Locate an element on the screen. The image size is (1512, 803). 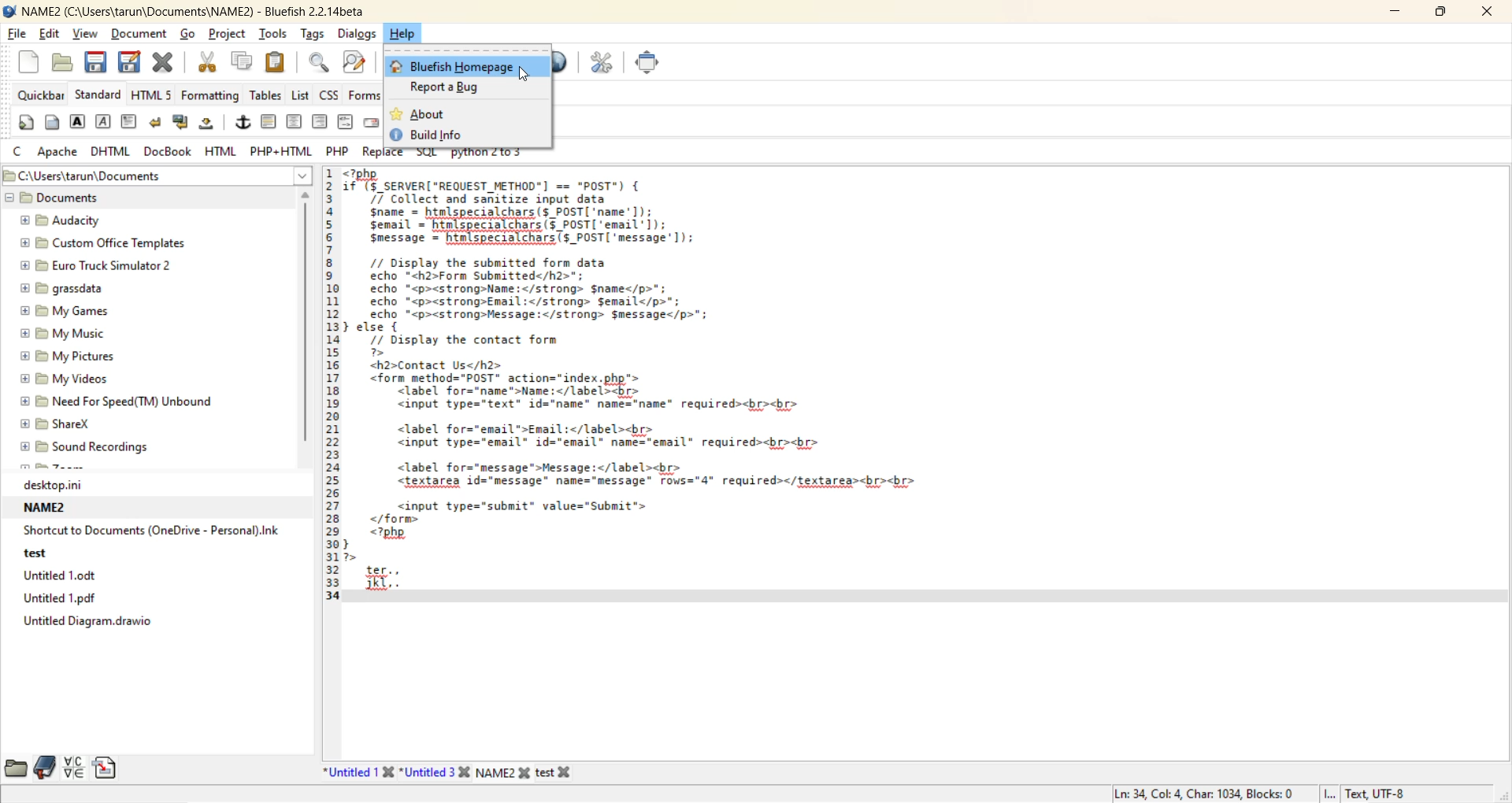
paragraph is located at coordinates (130, 121).